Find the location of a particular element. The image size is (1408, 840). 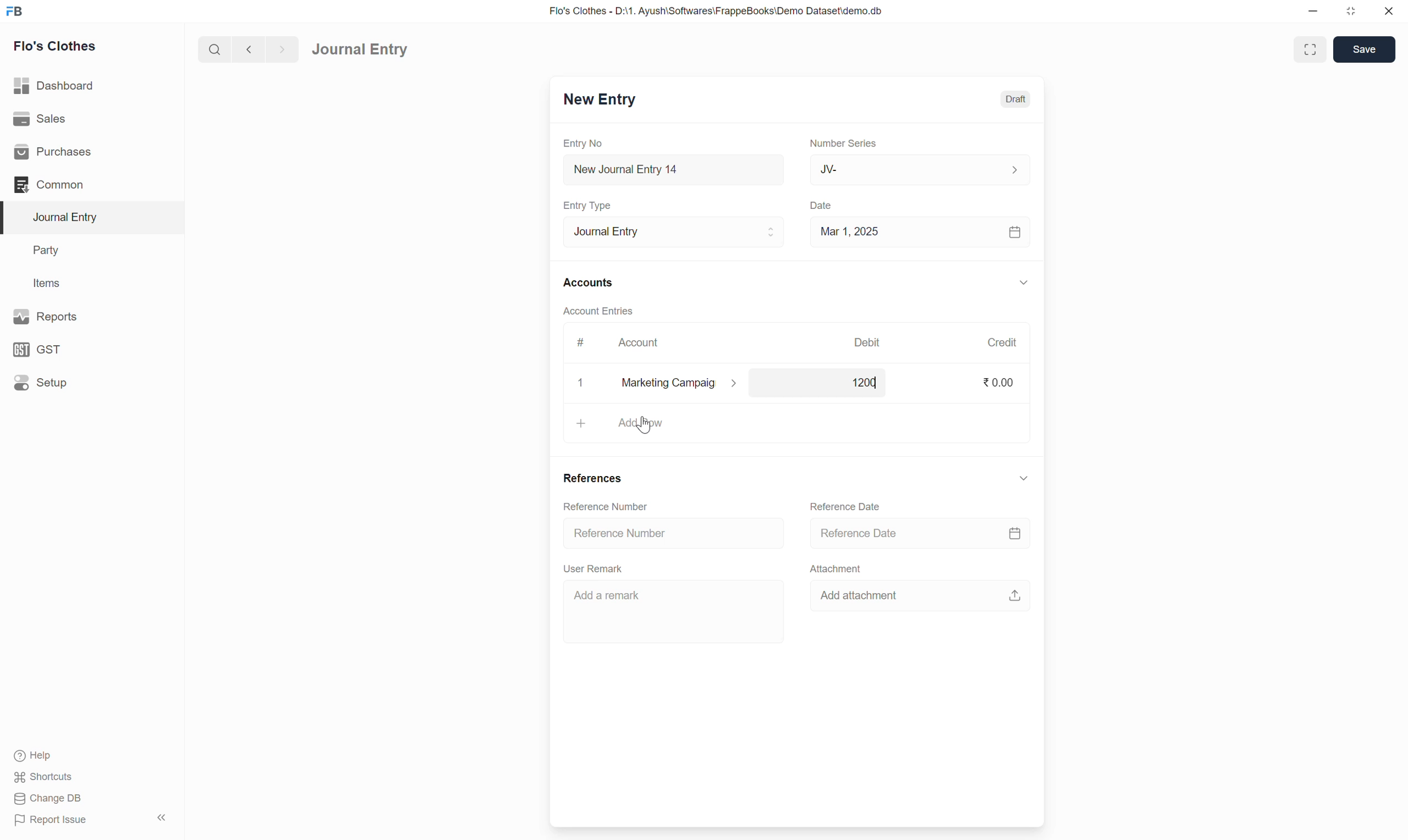

Party is located at coordinates (49, 251).